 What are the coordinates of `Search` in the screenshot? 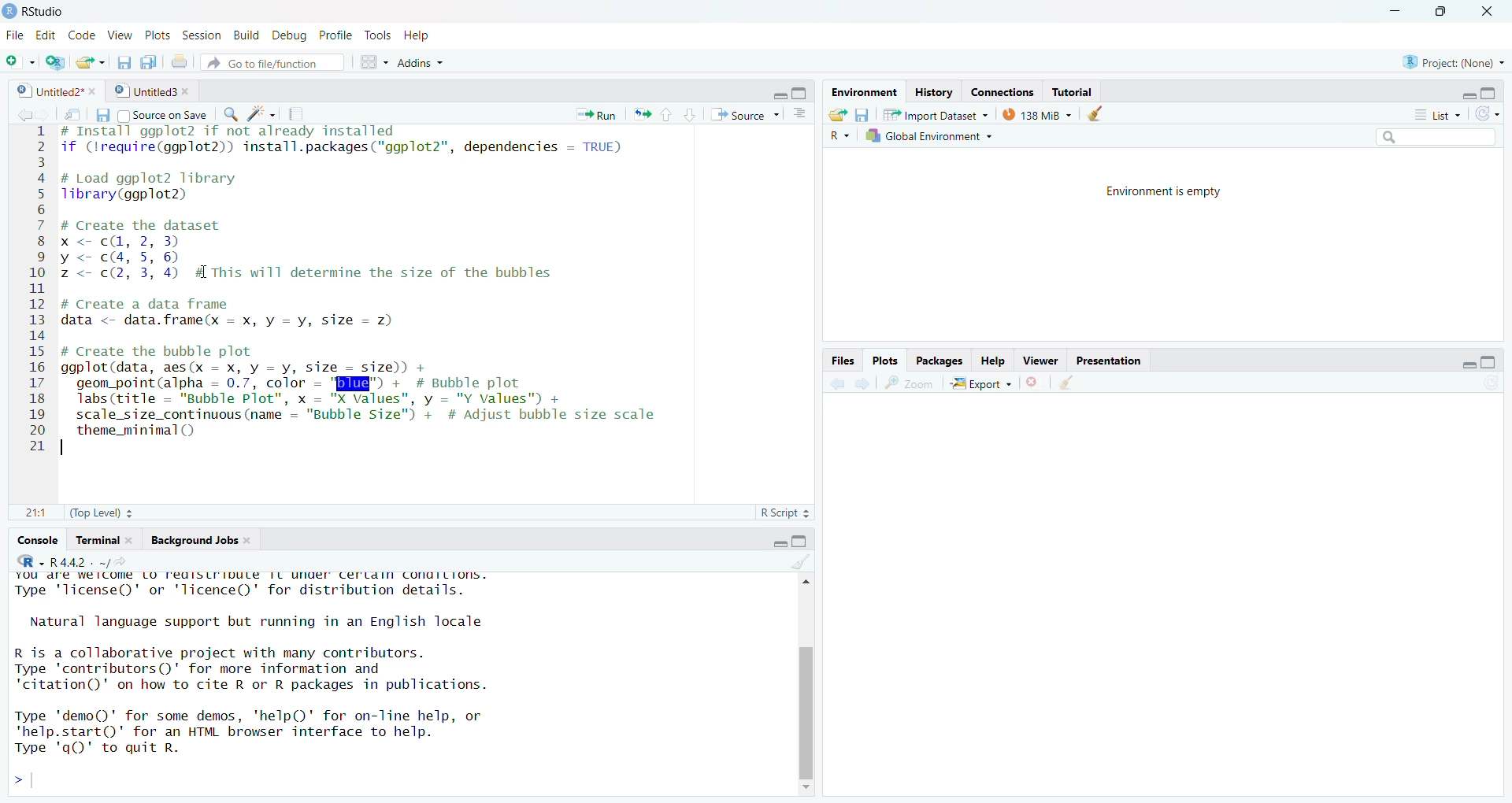 It's located at (1420, 136).